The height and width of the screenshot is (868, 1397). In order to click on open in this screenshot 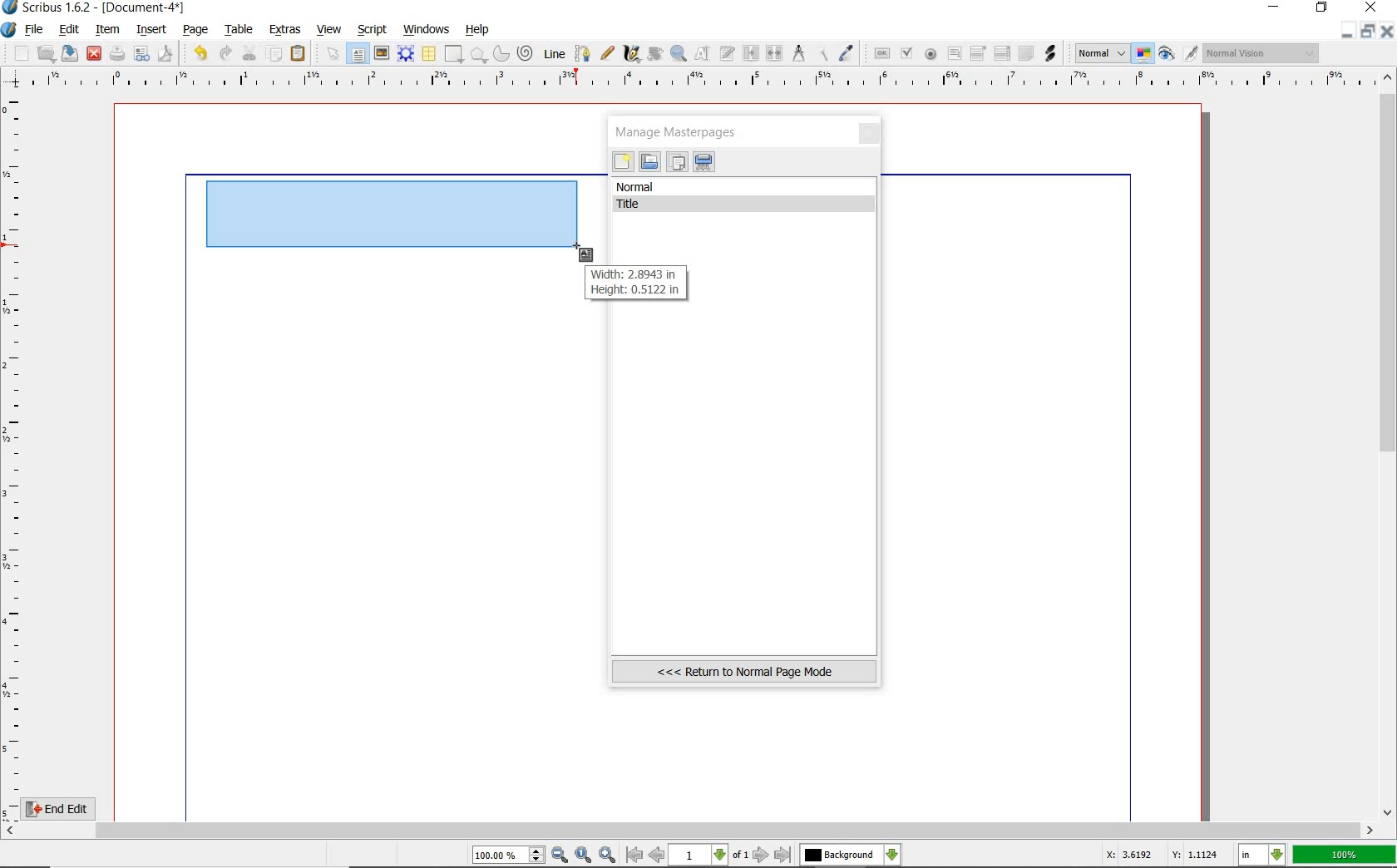, I will do `click(47, 53)`.